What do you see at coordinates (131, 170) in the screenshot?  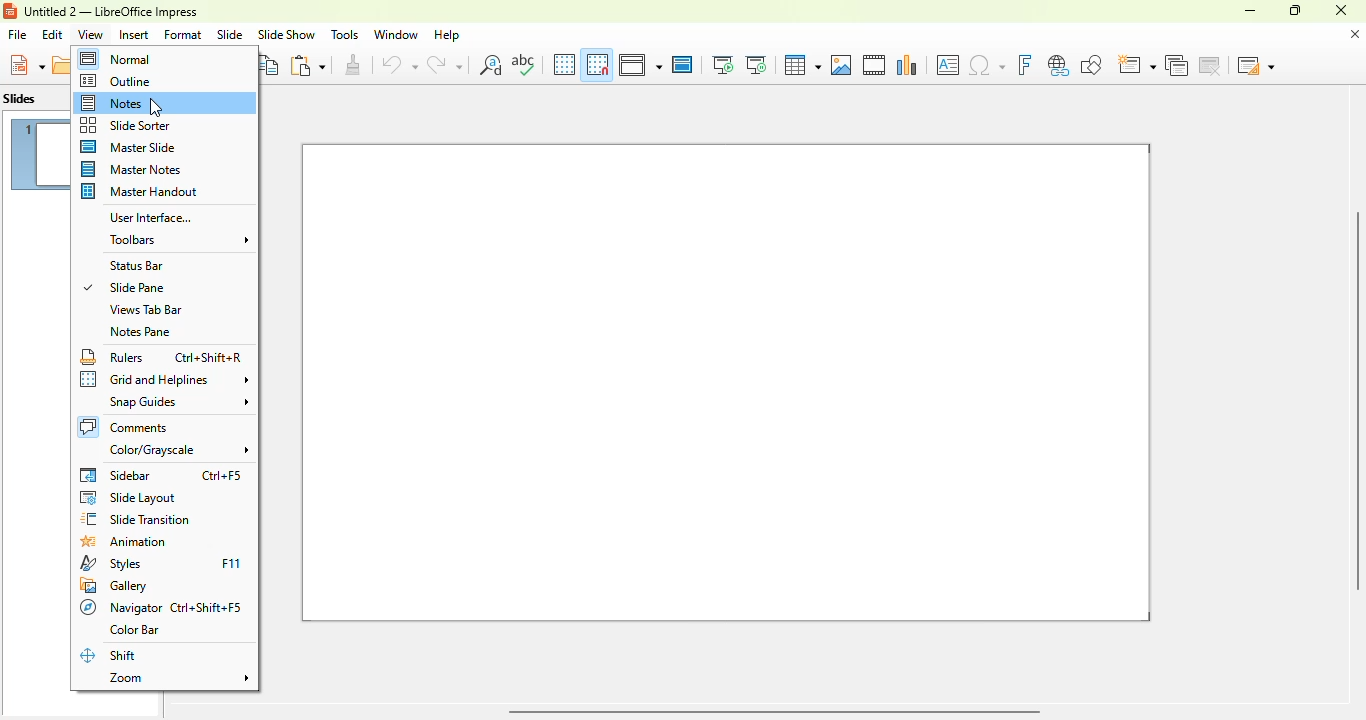 I see `master notes` at bounding box center [131, 170].